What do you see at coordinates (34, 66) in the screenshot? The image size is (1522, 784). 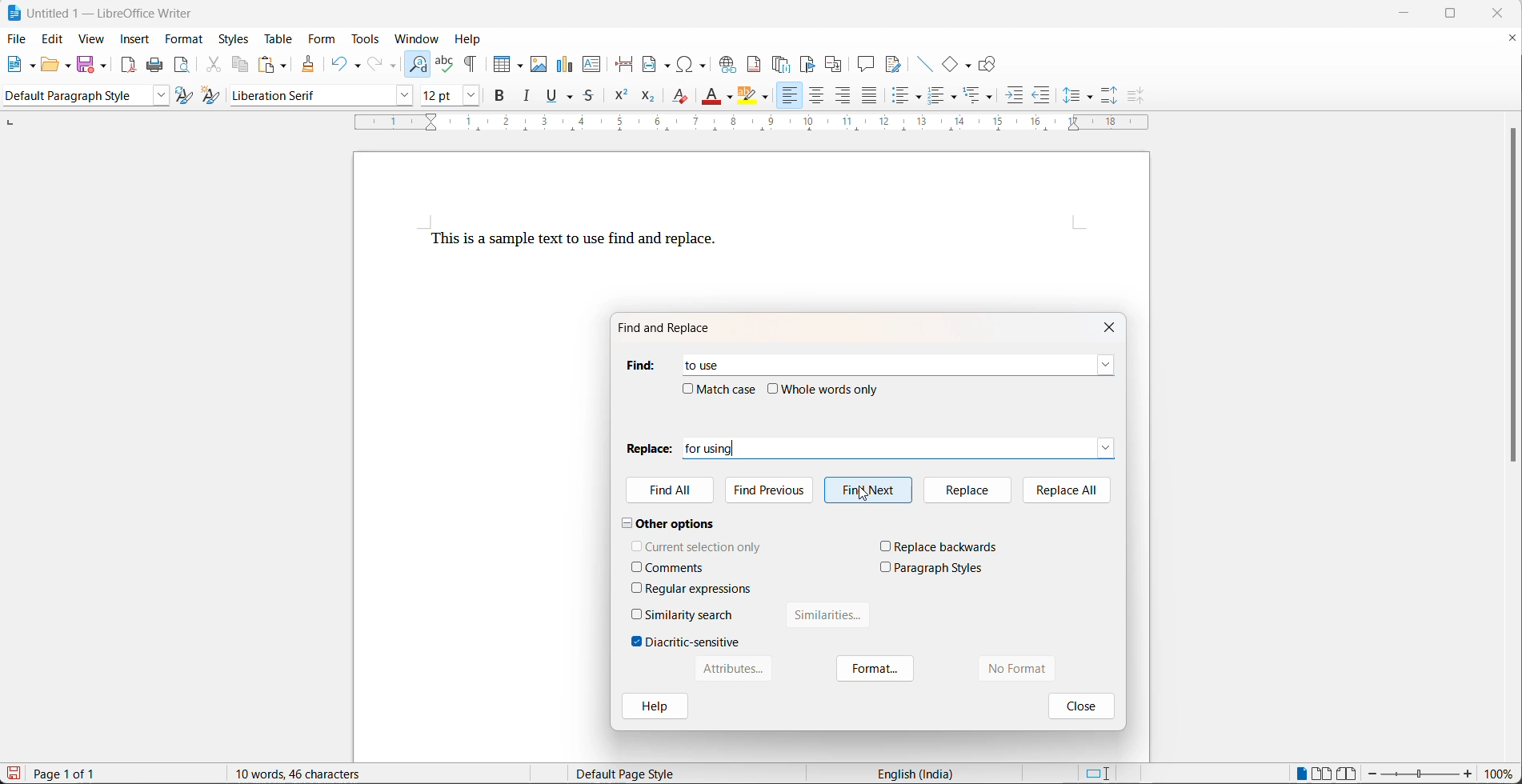 I see `new file options` at bounding box center [34, 66].